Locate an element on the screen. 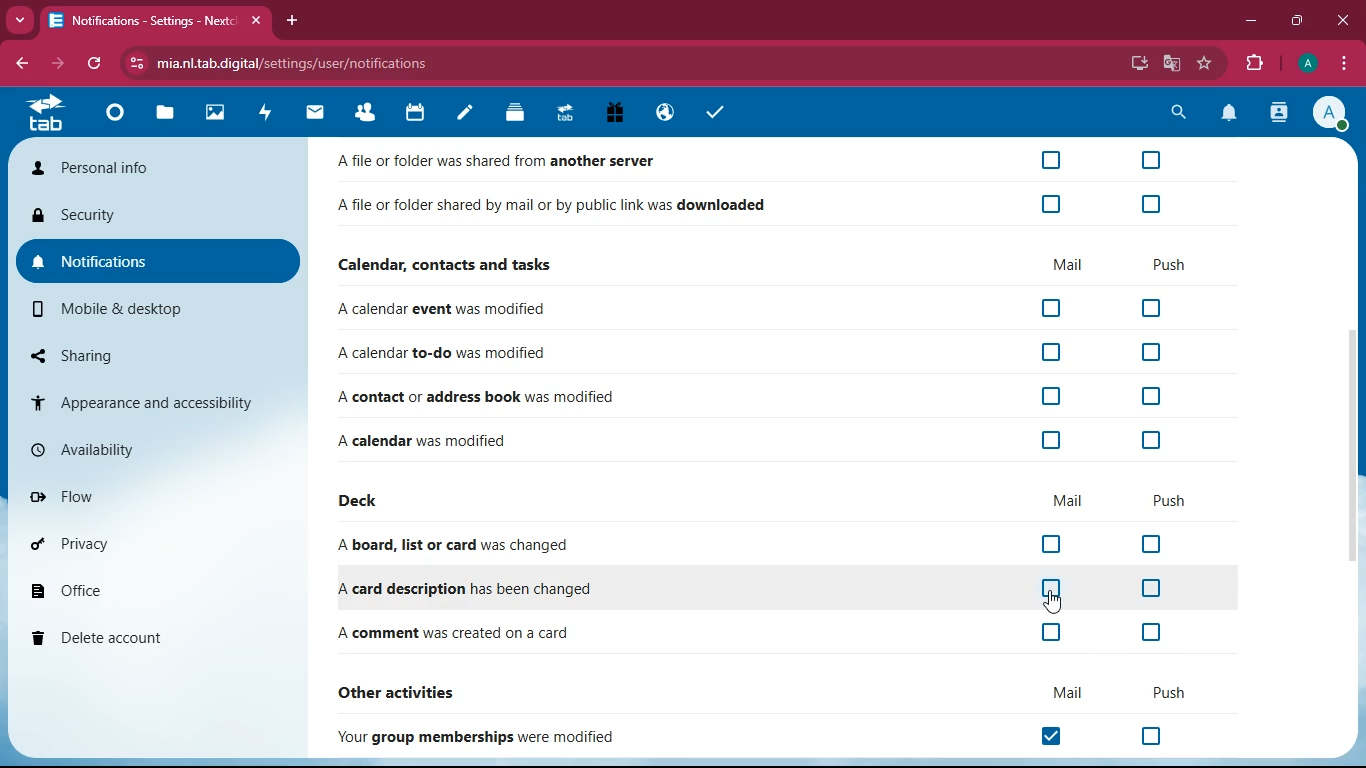  maximize is located at coordinates (1296, 21).